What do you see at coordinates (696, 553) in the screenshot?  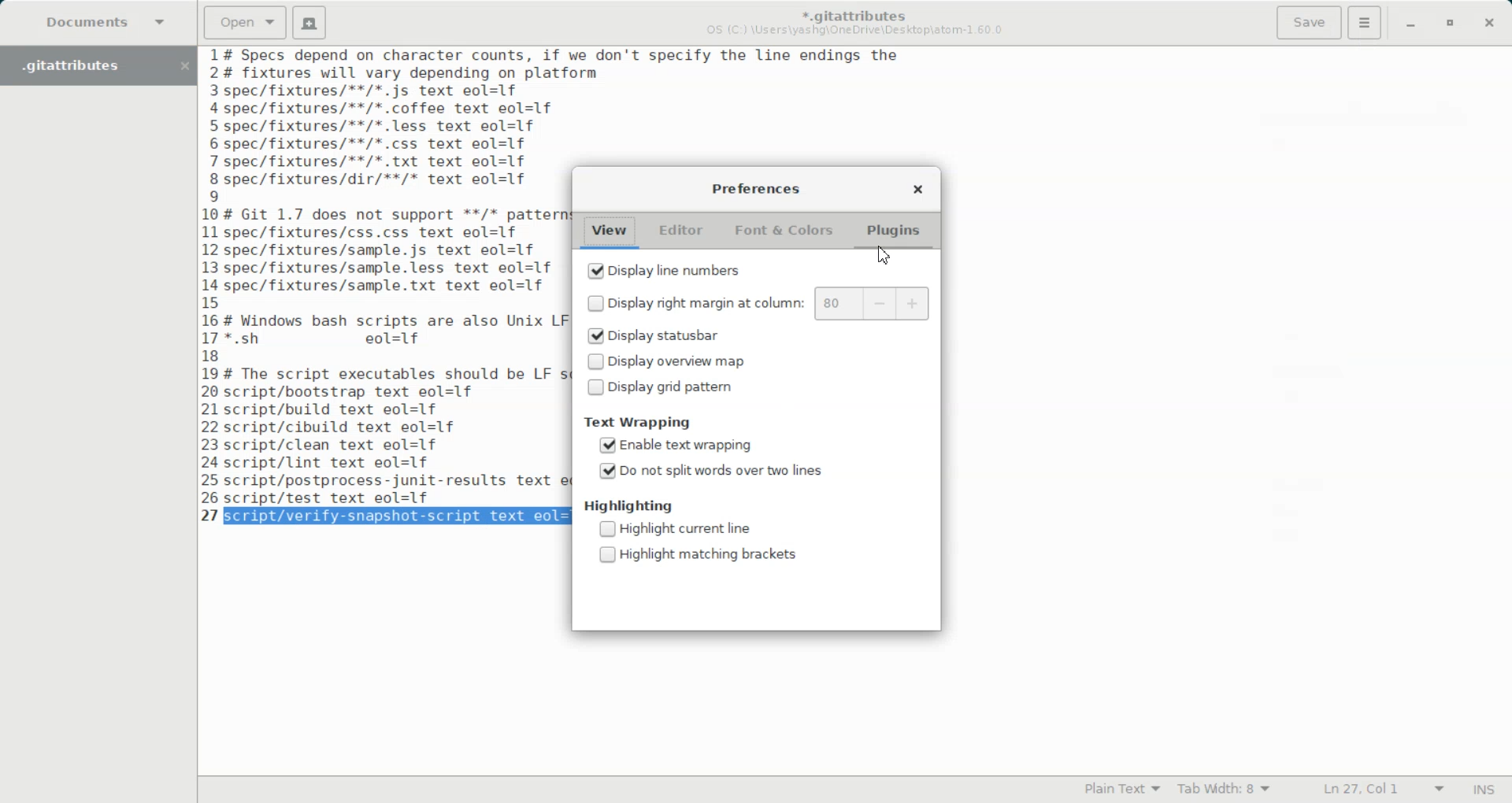 I see `Highlight matching brackets` at bounding box center [696, 553].